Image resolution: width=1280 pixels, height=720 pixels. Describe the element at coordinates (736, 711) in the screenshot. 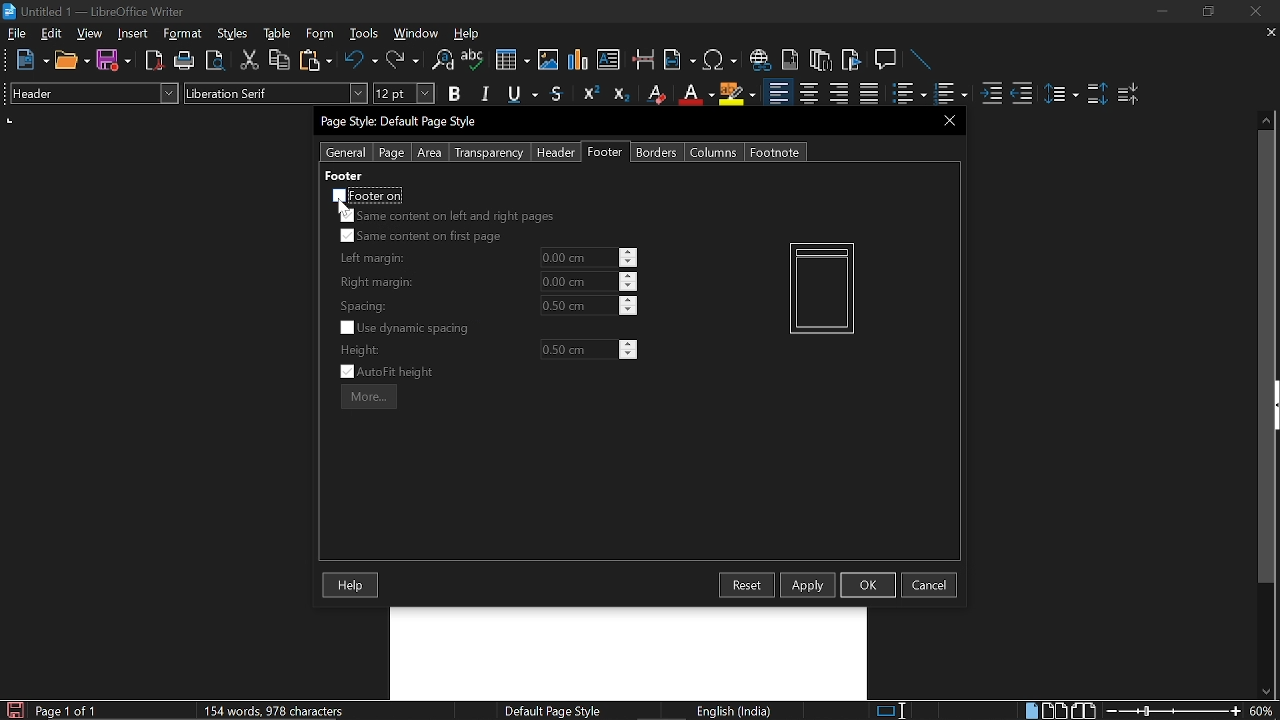

I see ` language` at that location.